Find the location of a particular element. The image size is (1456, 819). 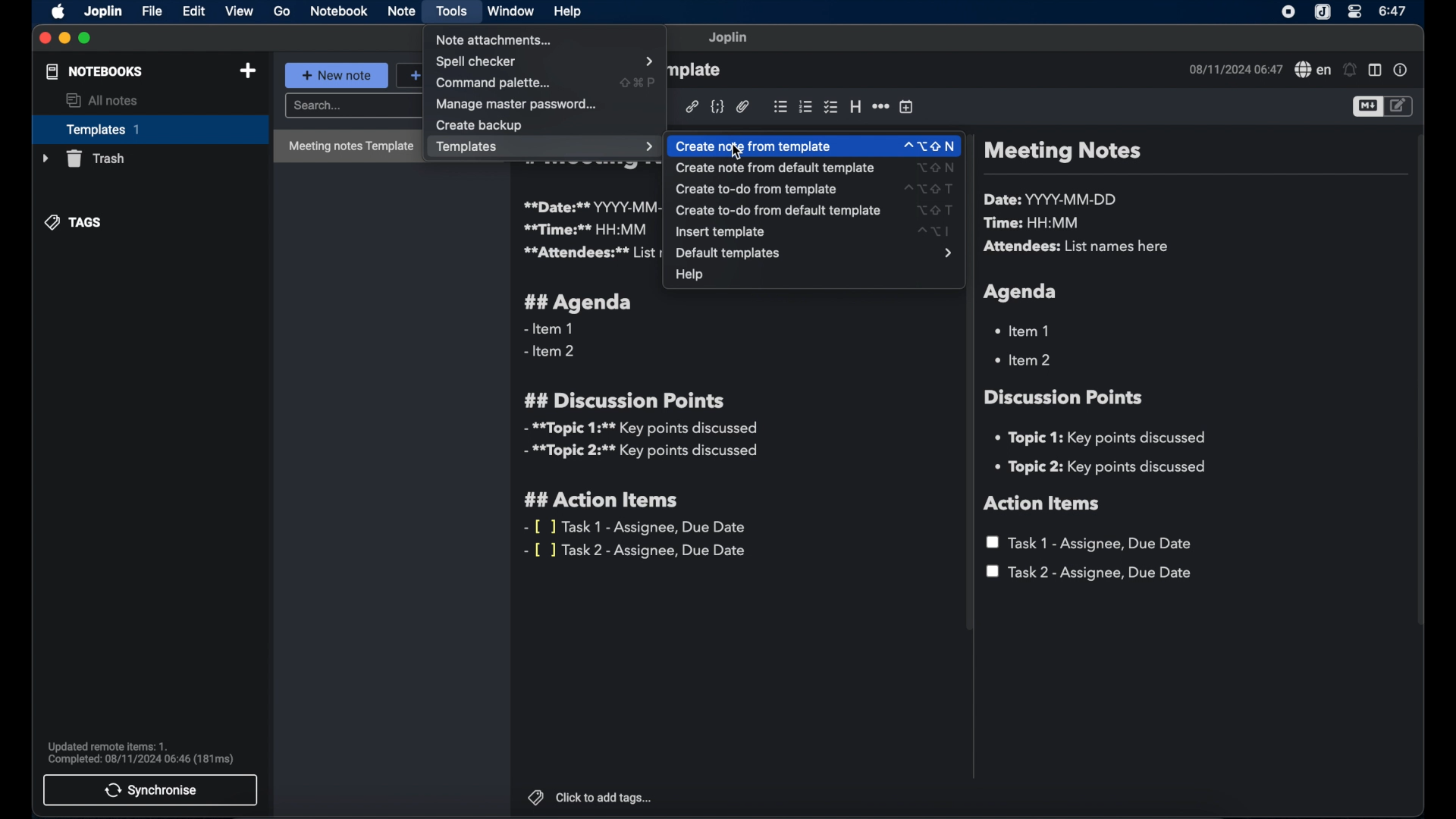

## discussion points is located at coordinates (624, 400).